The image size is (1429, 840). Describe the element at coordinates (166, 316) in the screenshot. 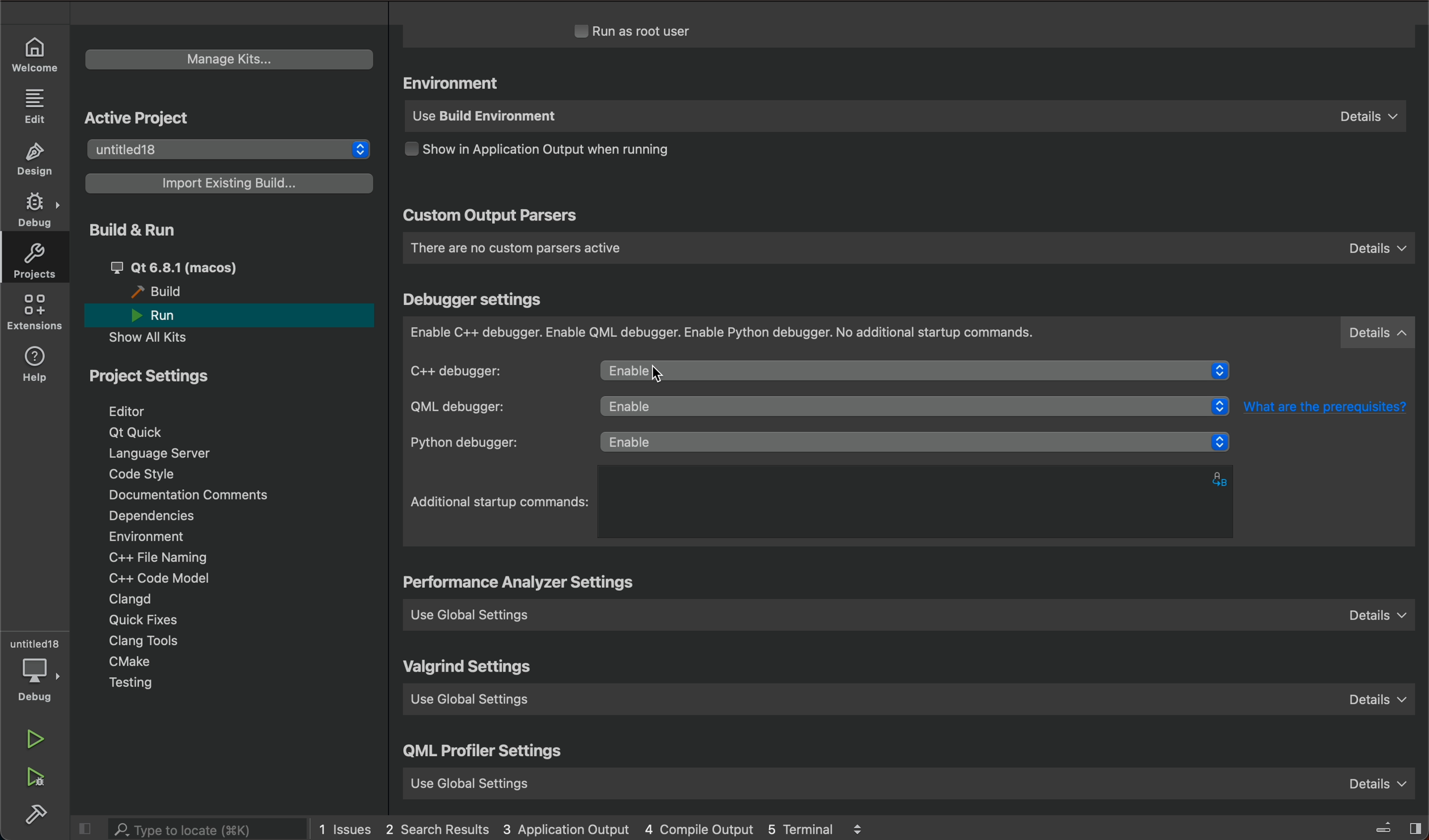

I see `run` at that location.